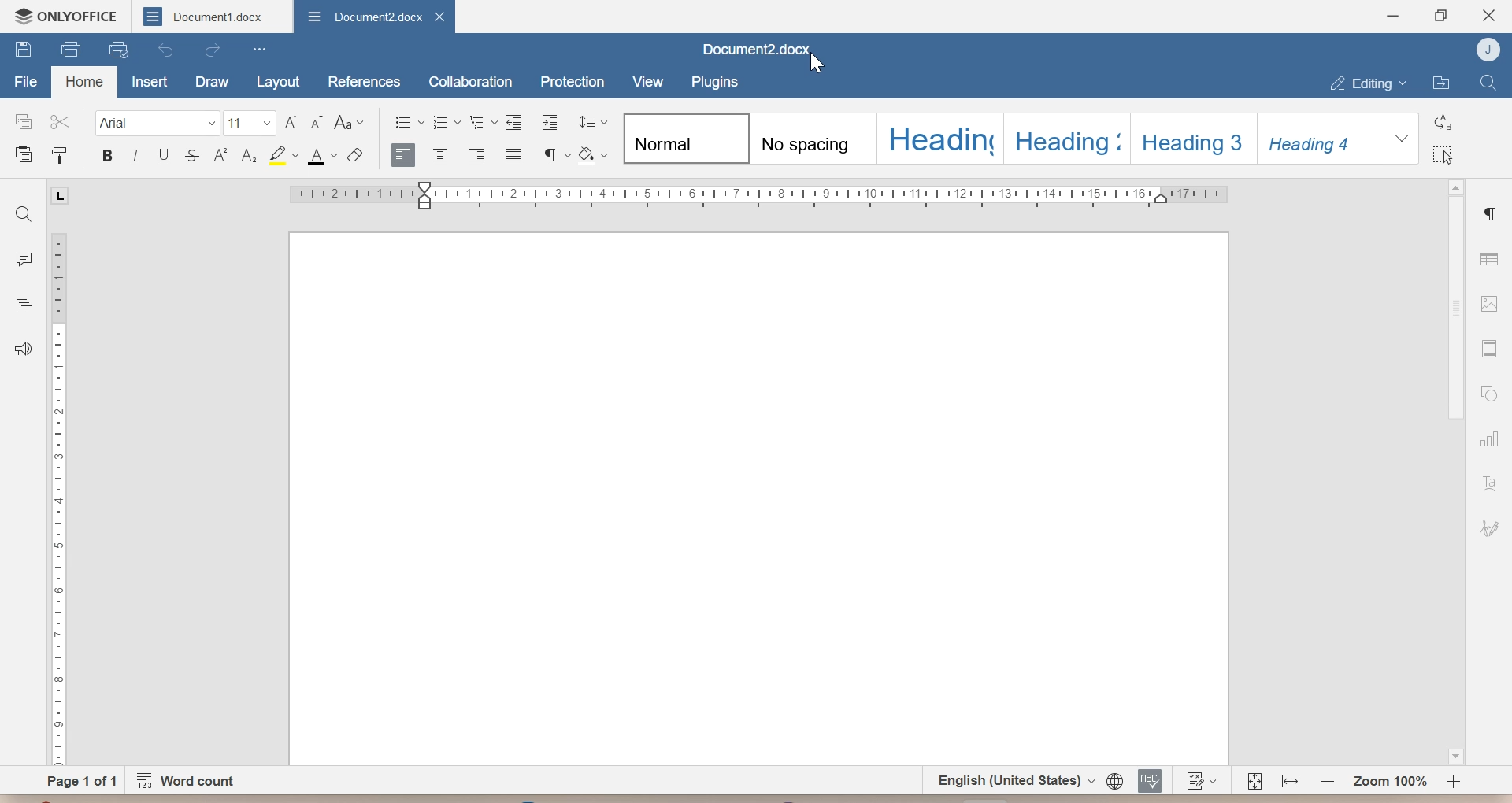 The width and height of the screenshot is (1512, 803). Describe the element at coordinates (220, 157) in the screenshot. I see `Superscript` at that location.